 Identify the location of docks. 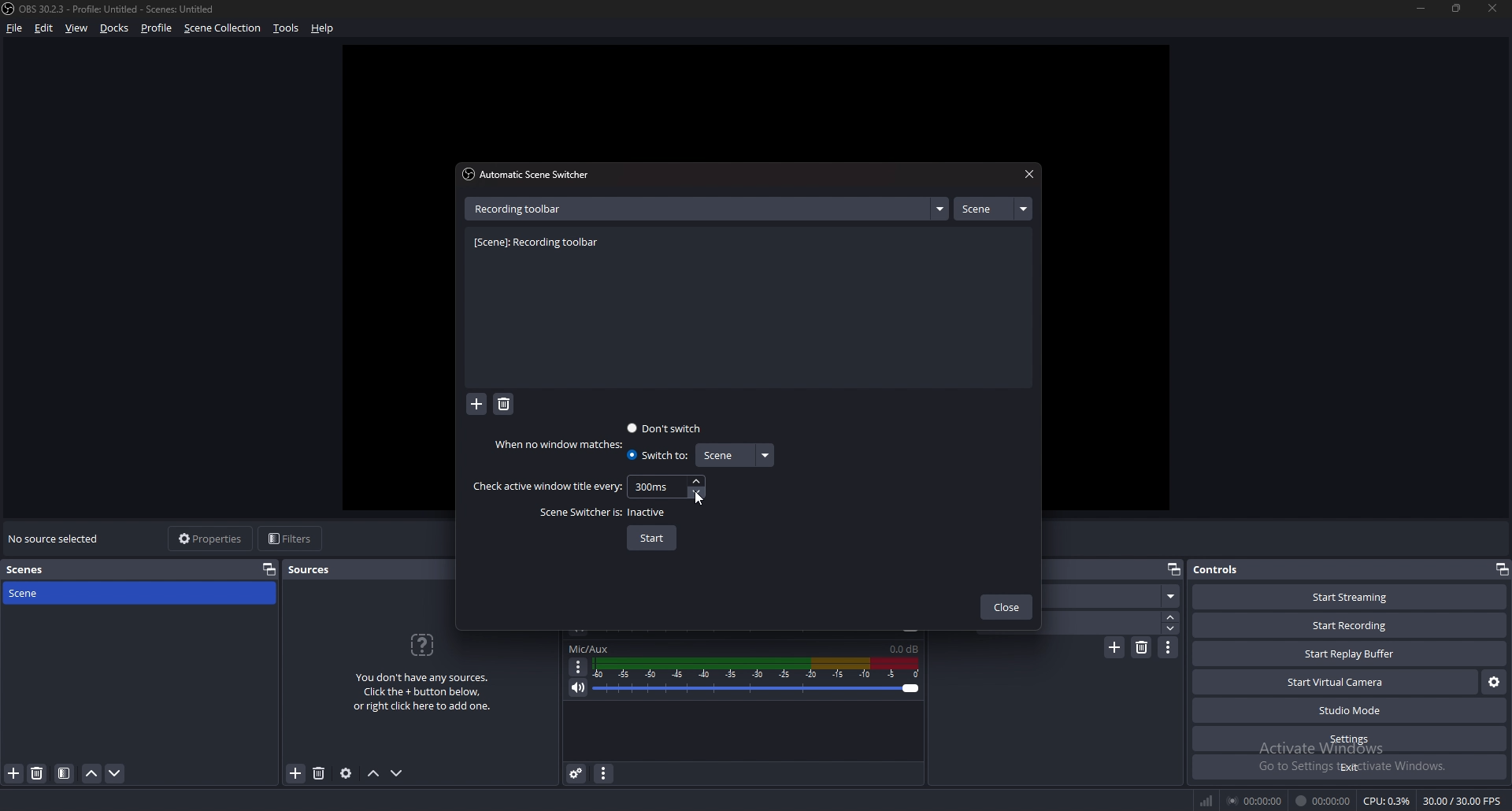
(115, 28).